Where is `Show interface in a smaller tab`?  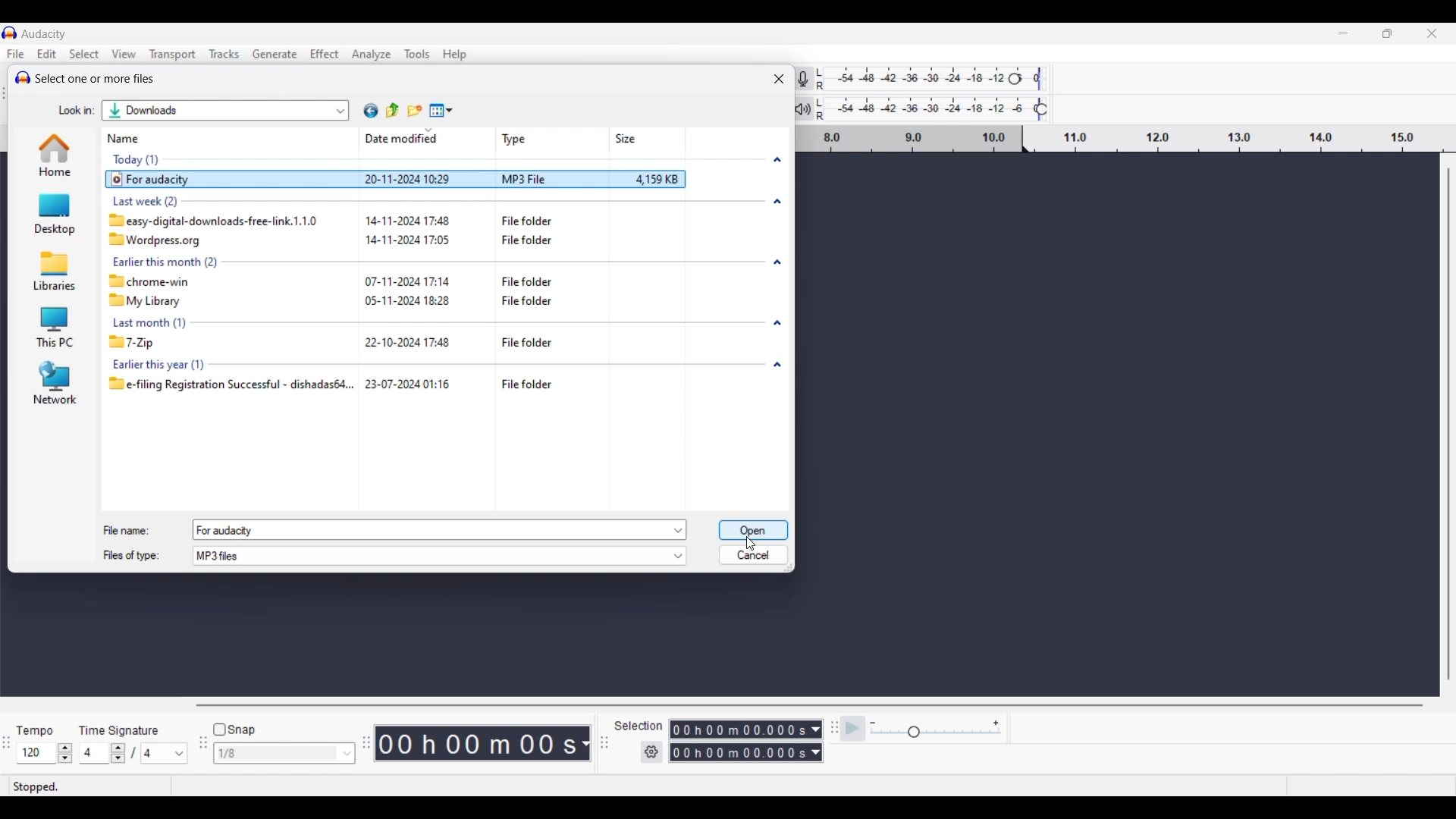
Show interface in a smaller tab is located at coordinates (1387, 33).